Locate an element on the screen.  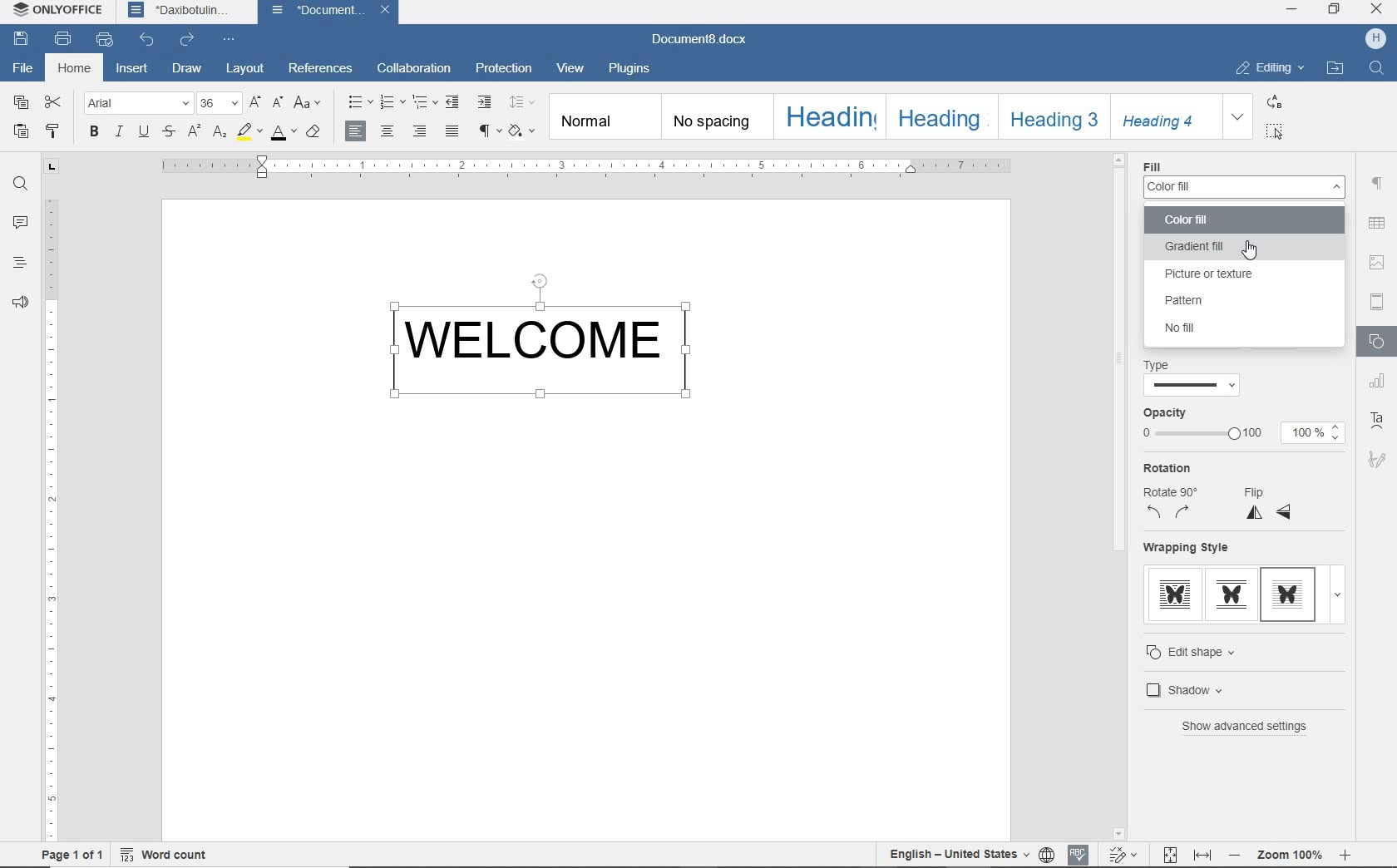
SPELL CHECKING is located at coordinates (1078, 855).